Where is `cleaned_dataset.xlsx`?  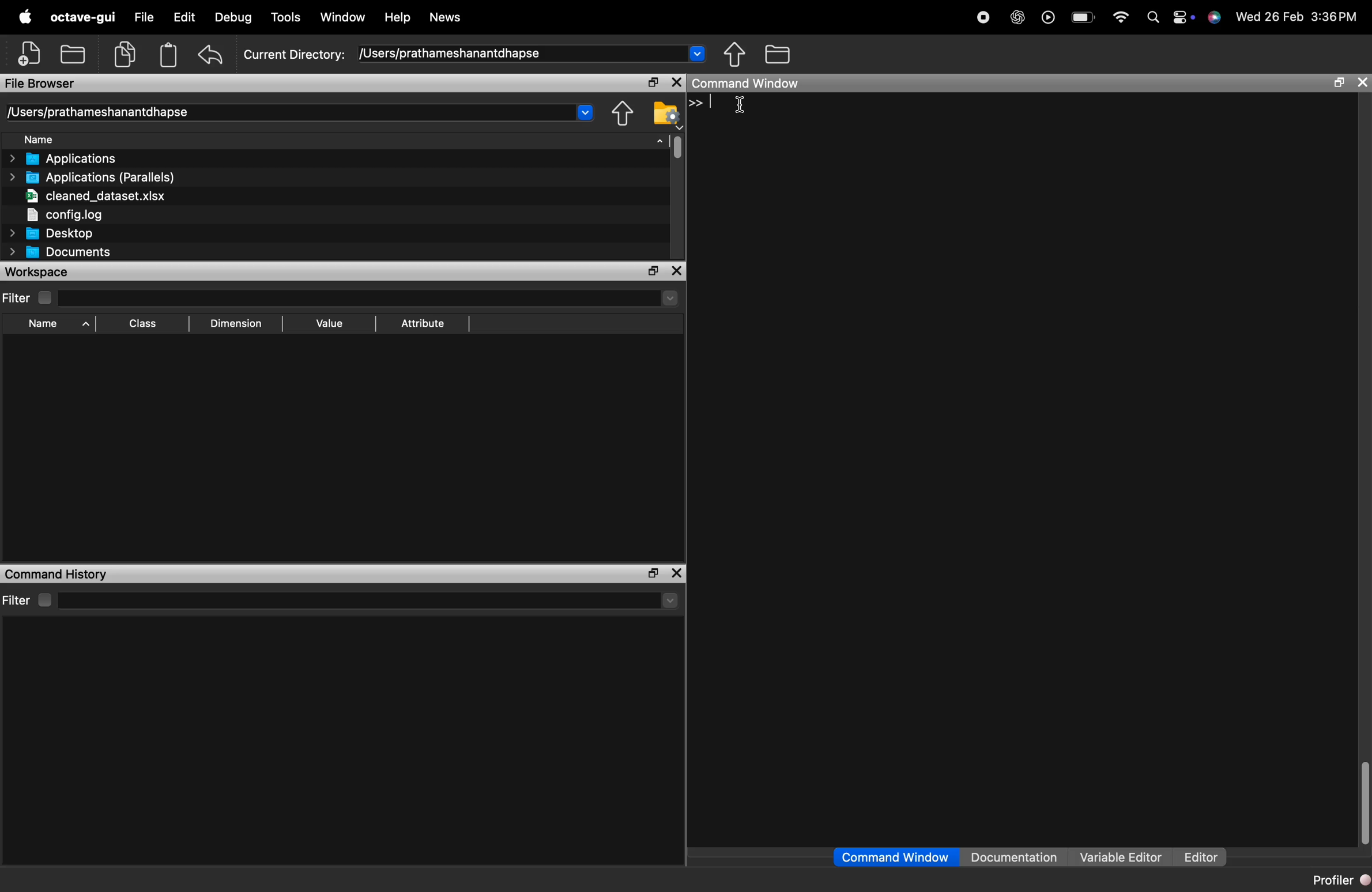
cleaned_dataset.xlsx is located at coordinates (95, 195).